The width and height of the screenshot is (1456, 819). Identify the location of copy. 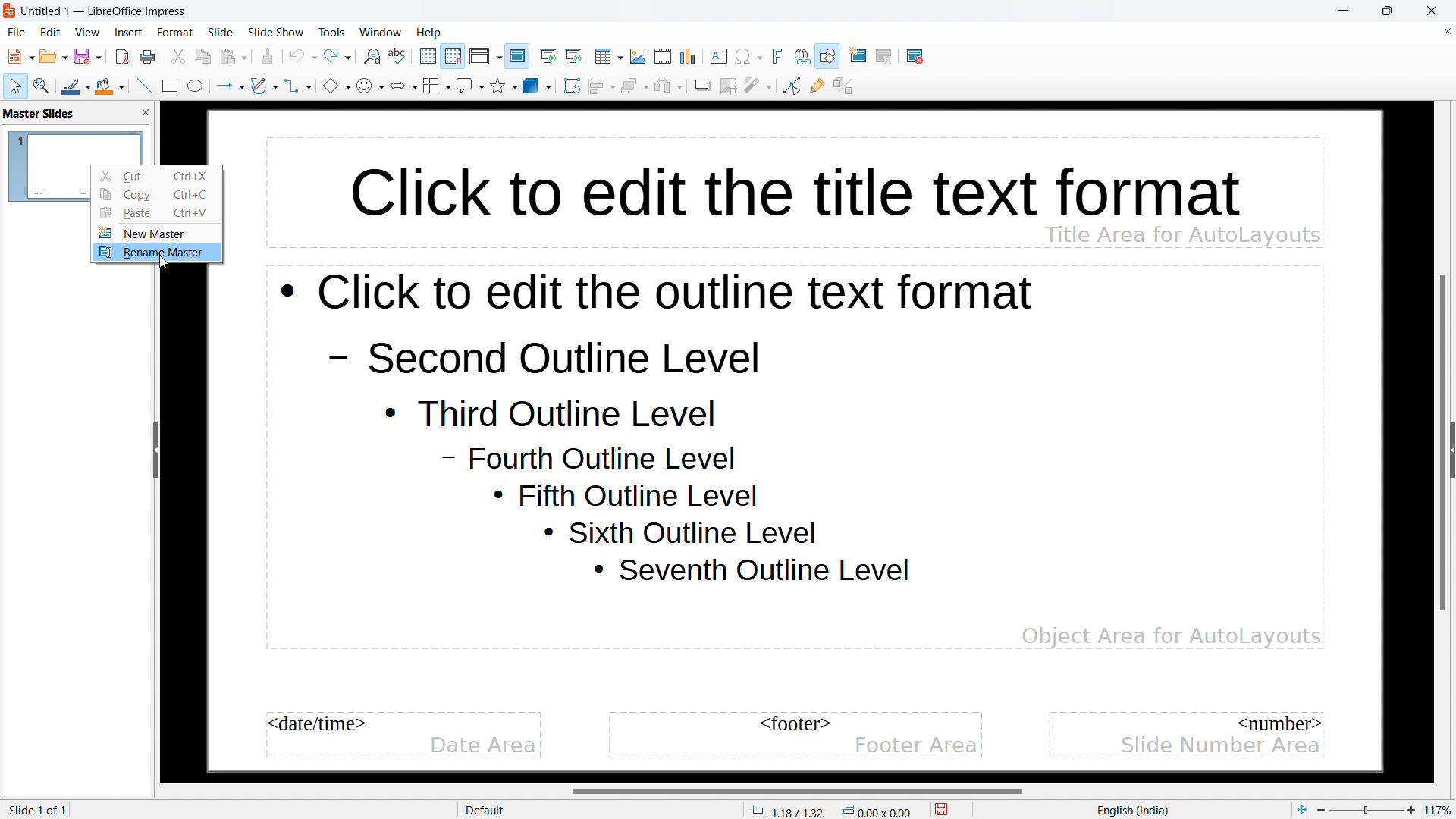
(158, 195).